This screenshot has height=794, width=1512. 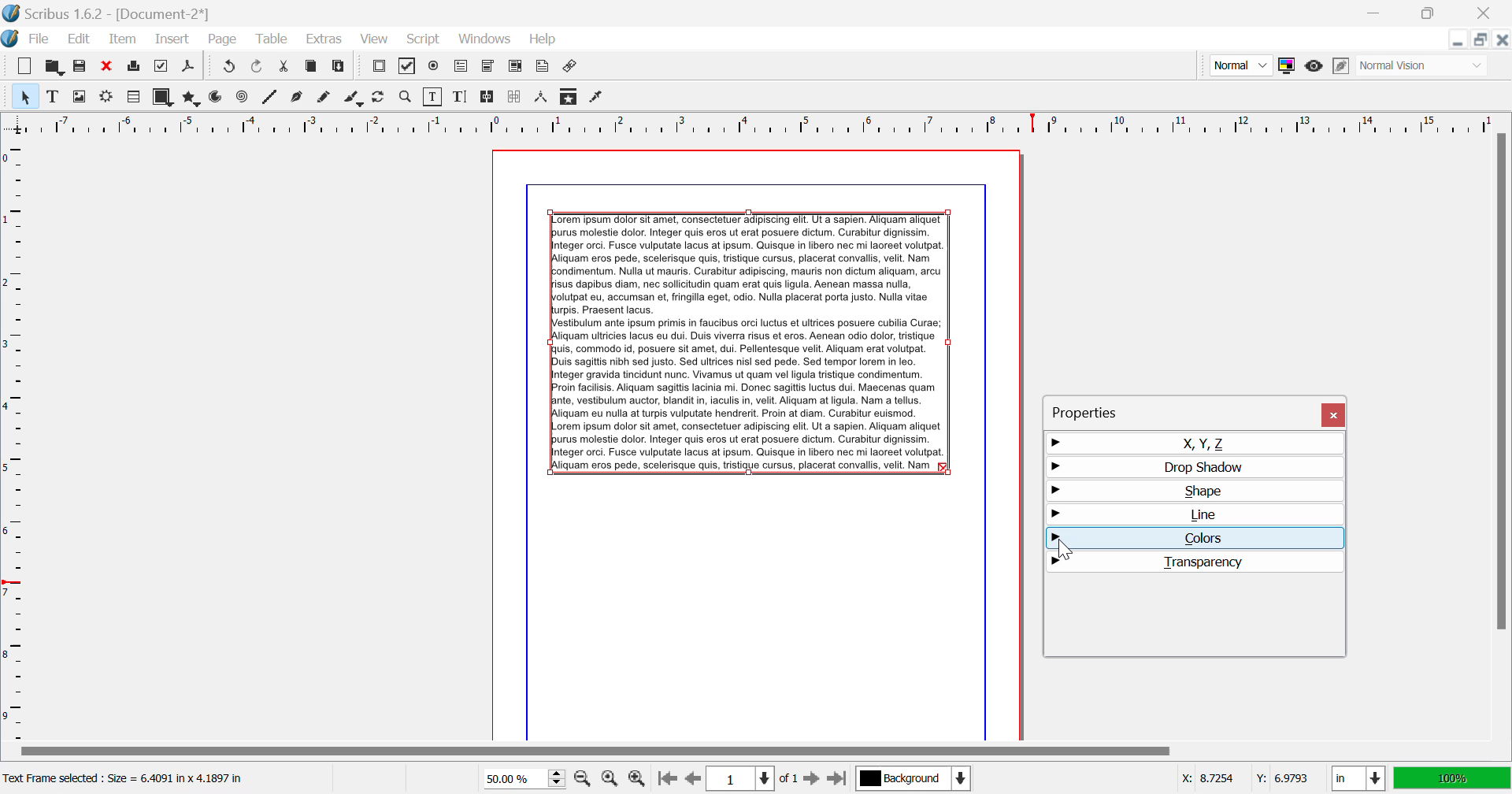 What do you see at coordinates (15, 439) in the screenshot?
I see `Horizontal Page Margins` at bounding box center [15, 439].